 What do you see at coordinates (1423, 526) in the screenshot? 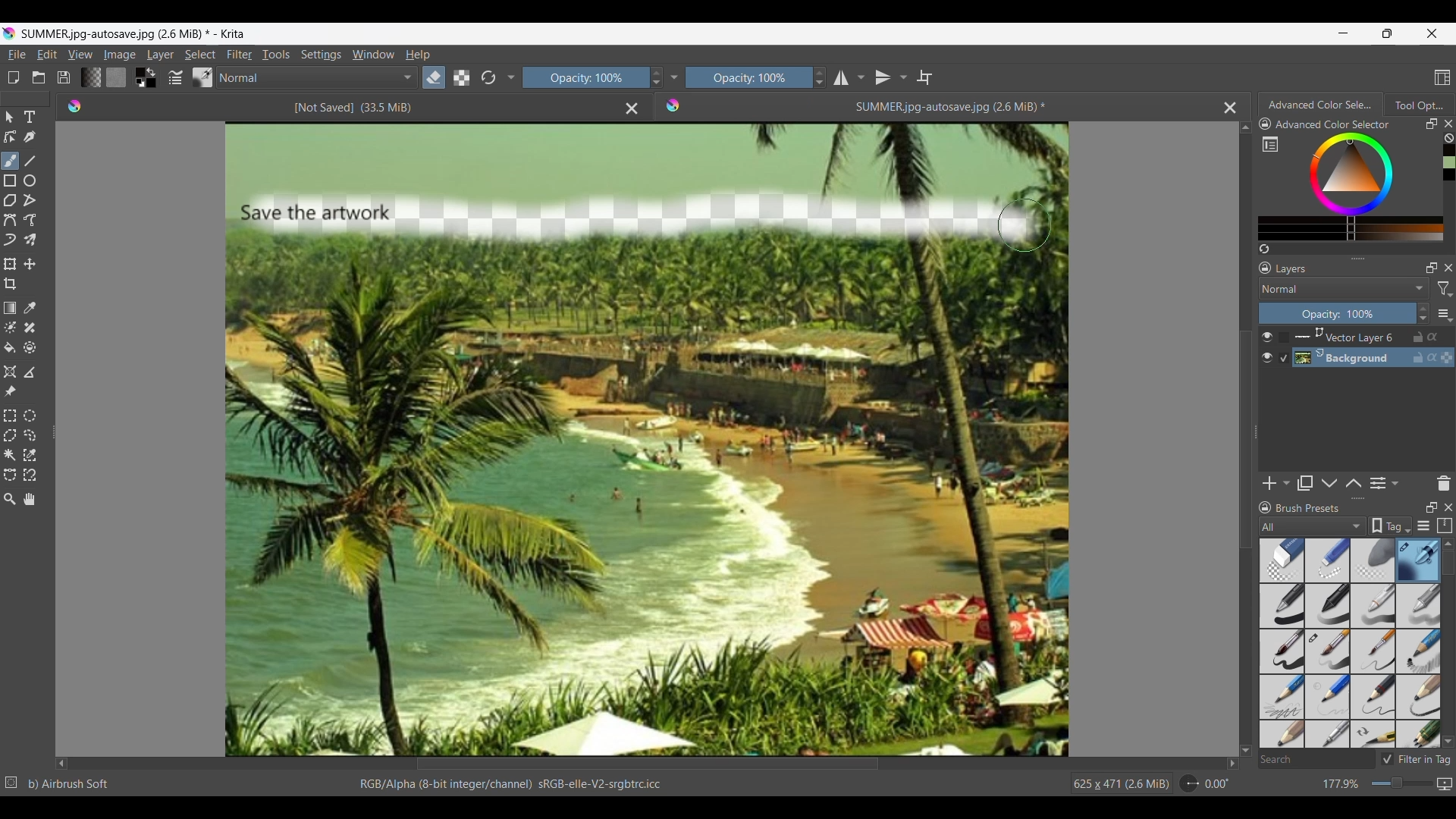
I see `Display settings` at bounding box center [1423, 526].